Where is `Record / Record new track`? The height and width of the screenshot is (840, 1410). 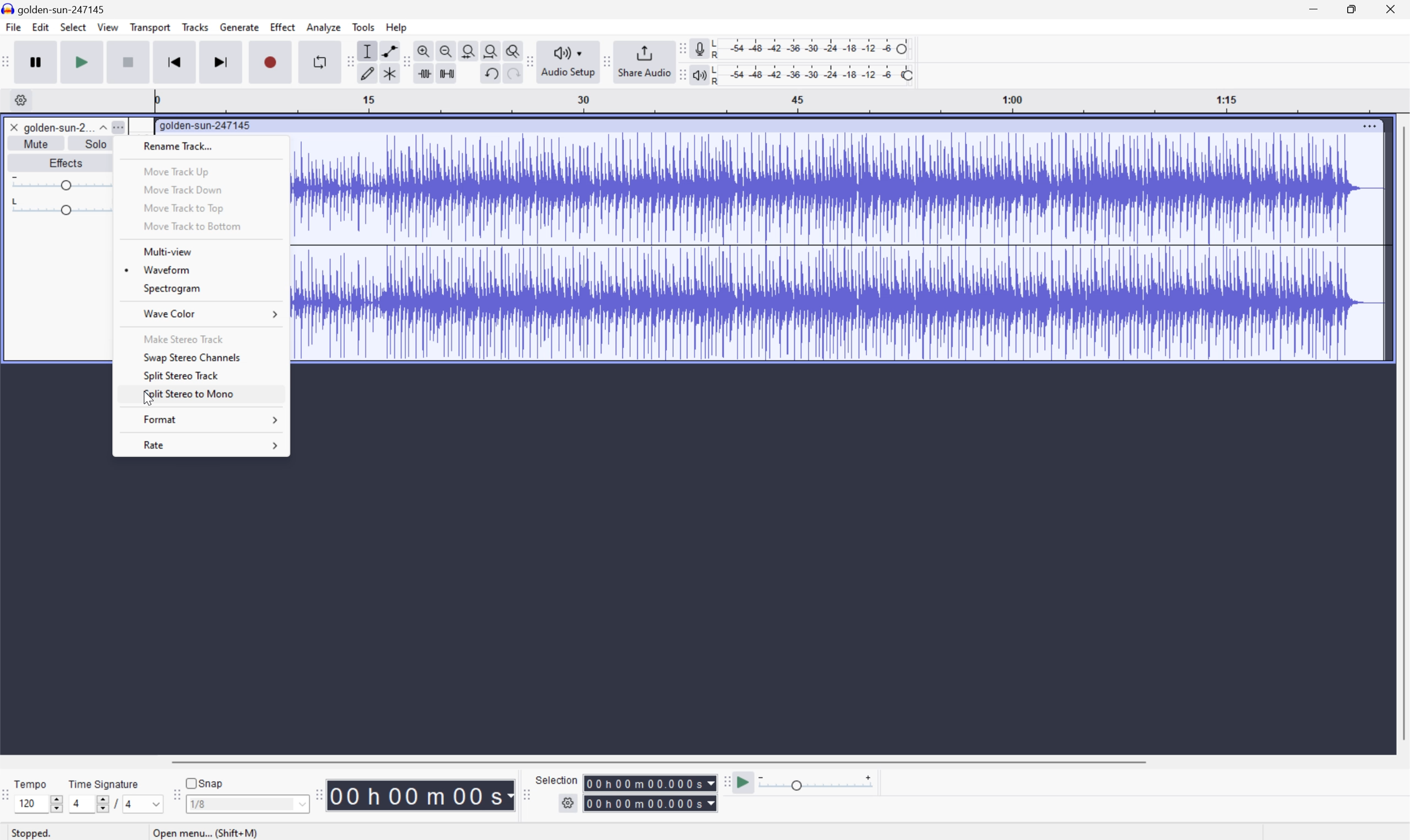 Record / Record new track is located at coordinates (272, 63).